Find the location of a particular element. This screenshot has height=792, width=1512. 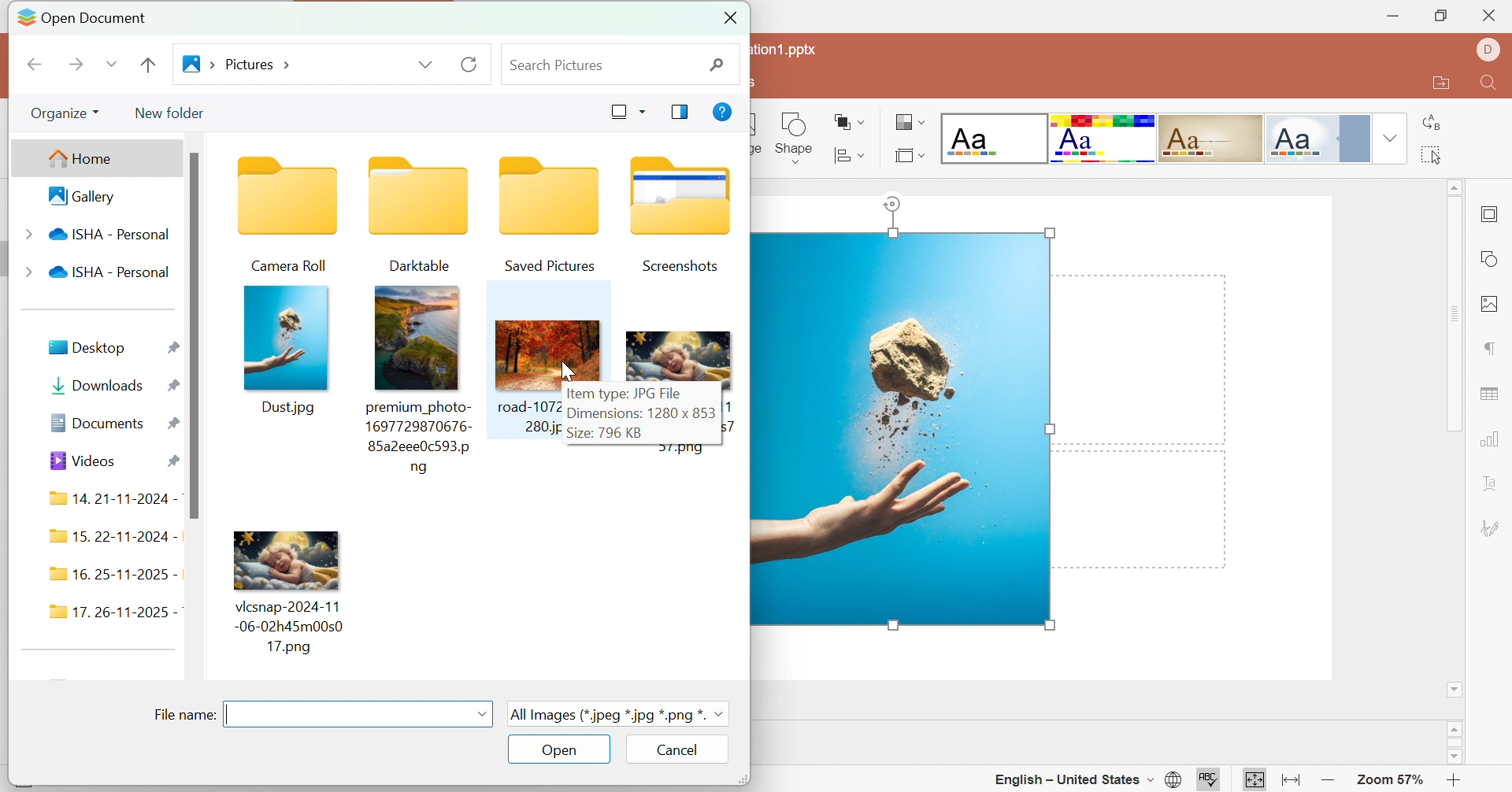

Image name is located at coordinates (286, 628).